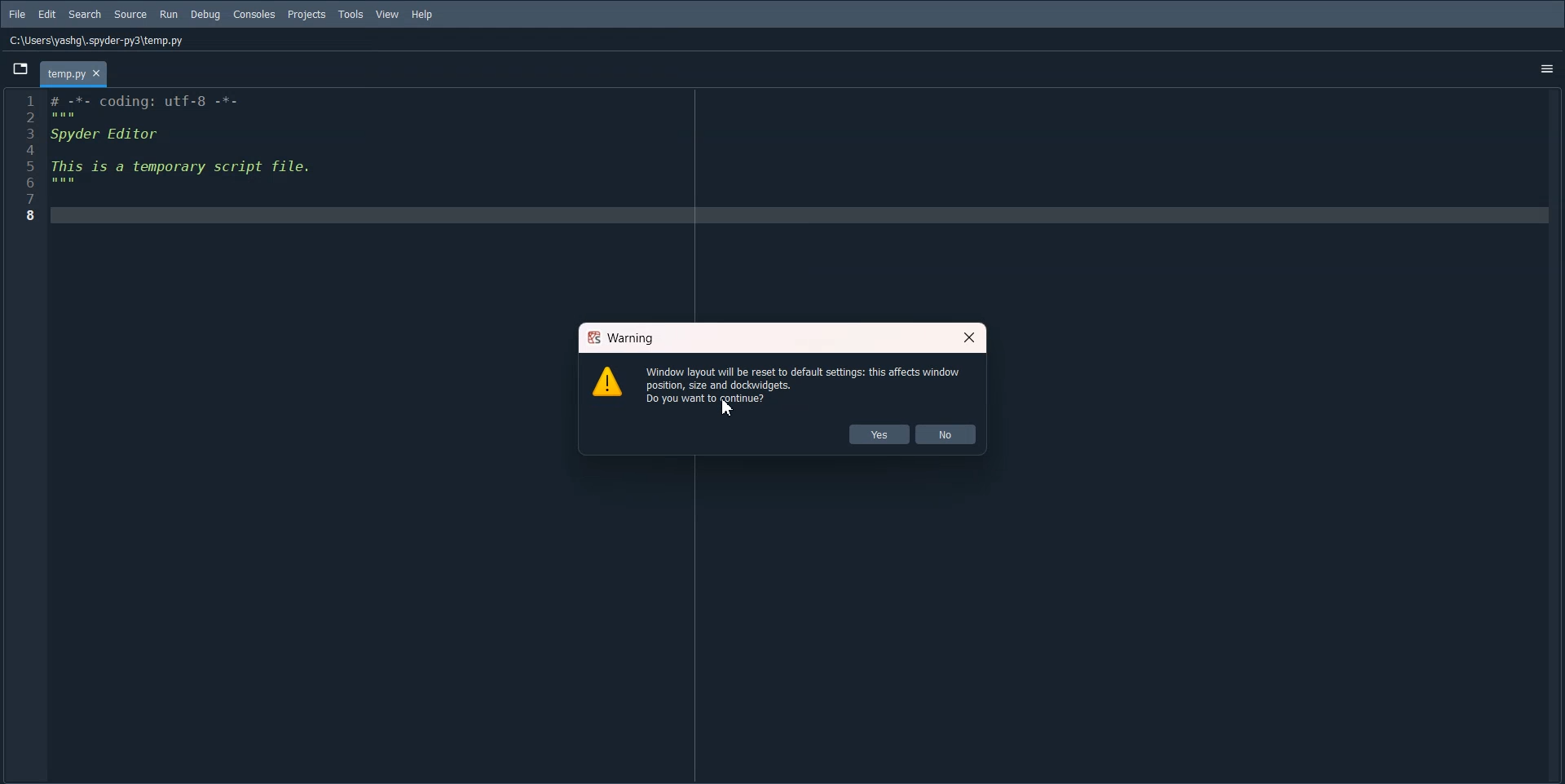 This screenshot has width=1565, height=784. I want to click on Close, so click(968, 336).